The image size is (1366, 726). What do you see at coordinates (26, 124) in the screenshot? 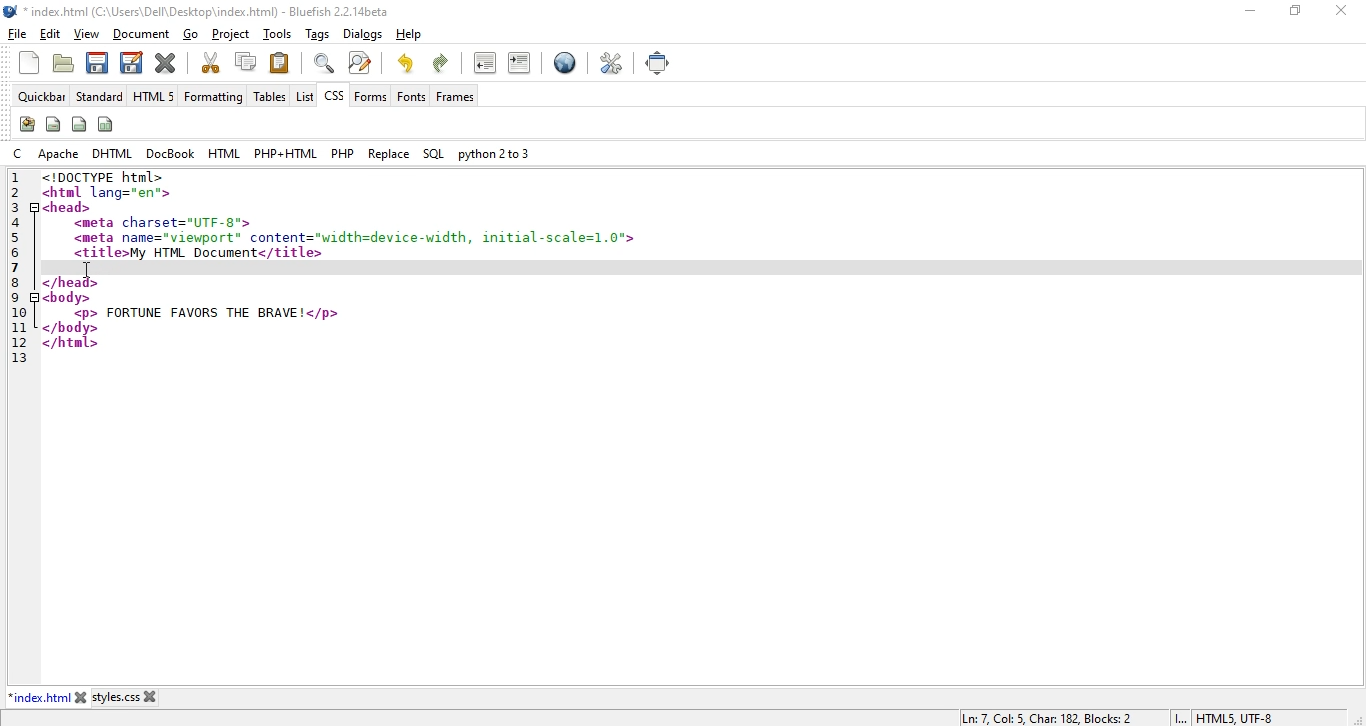
I see `create stylesheet` at bounding box center [26, 124].